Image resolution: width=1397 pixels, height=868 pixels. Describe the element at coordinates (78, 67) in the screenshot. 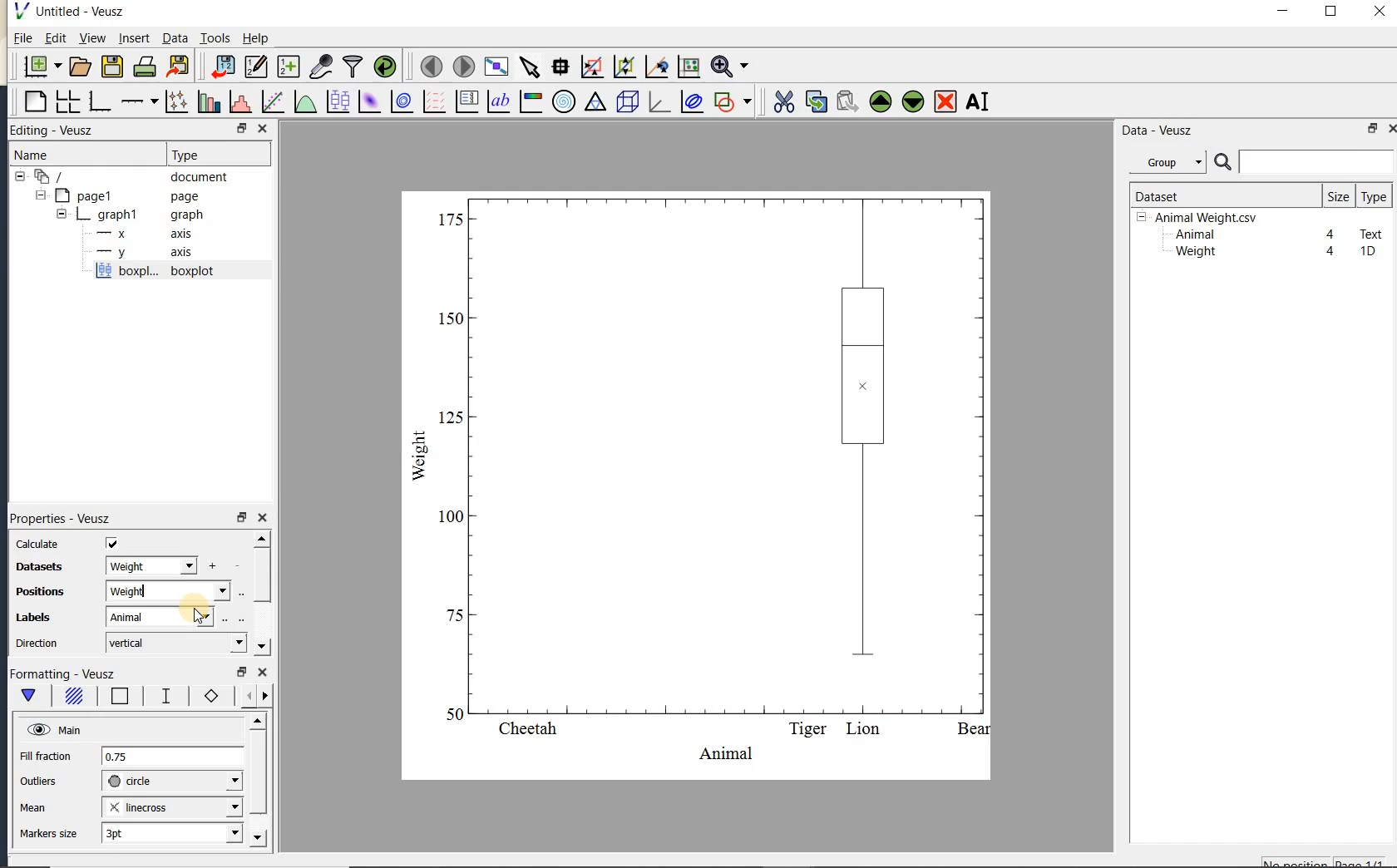

I see `open a document` at that location.